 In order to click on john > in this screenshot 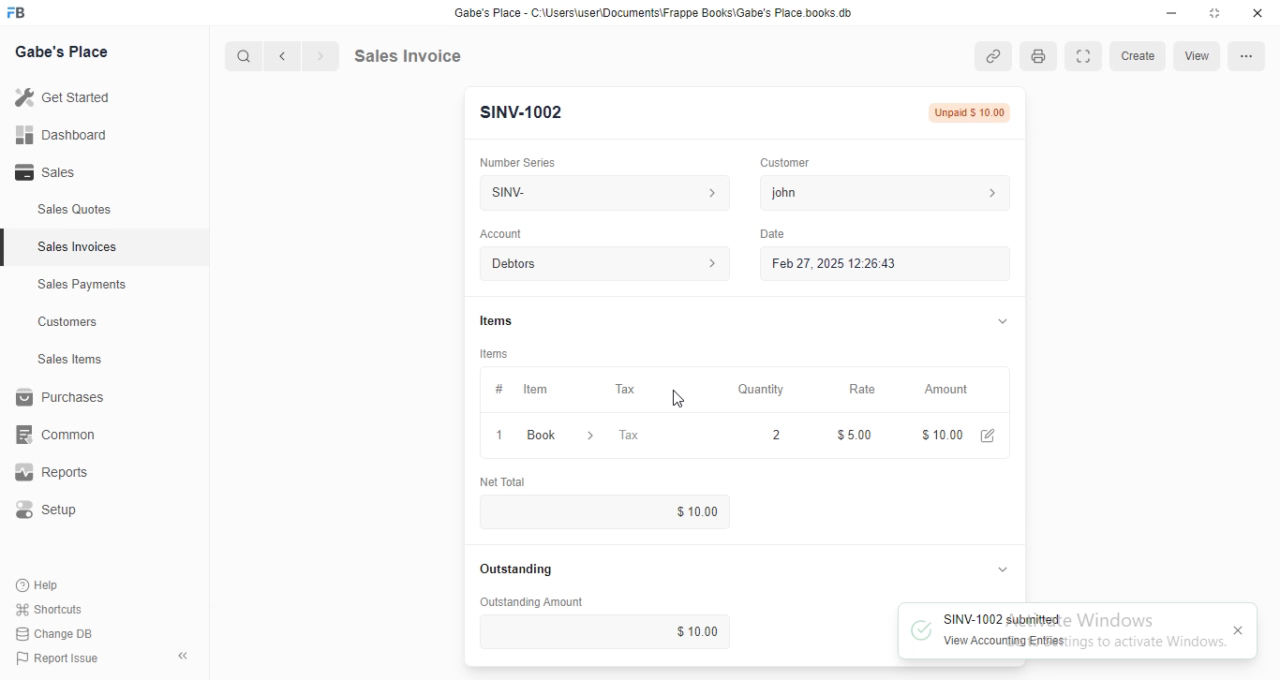, I will do `click(885, 192)`.